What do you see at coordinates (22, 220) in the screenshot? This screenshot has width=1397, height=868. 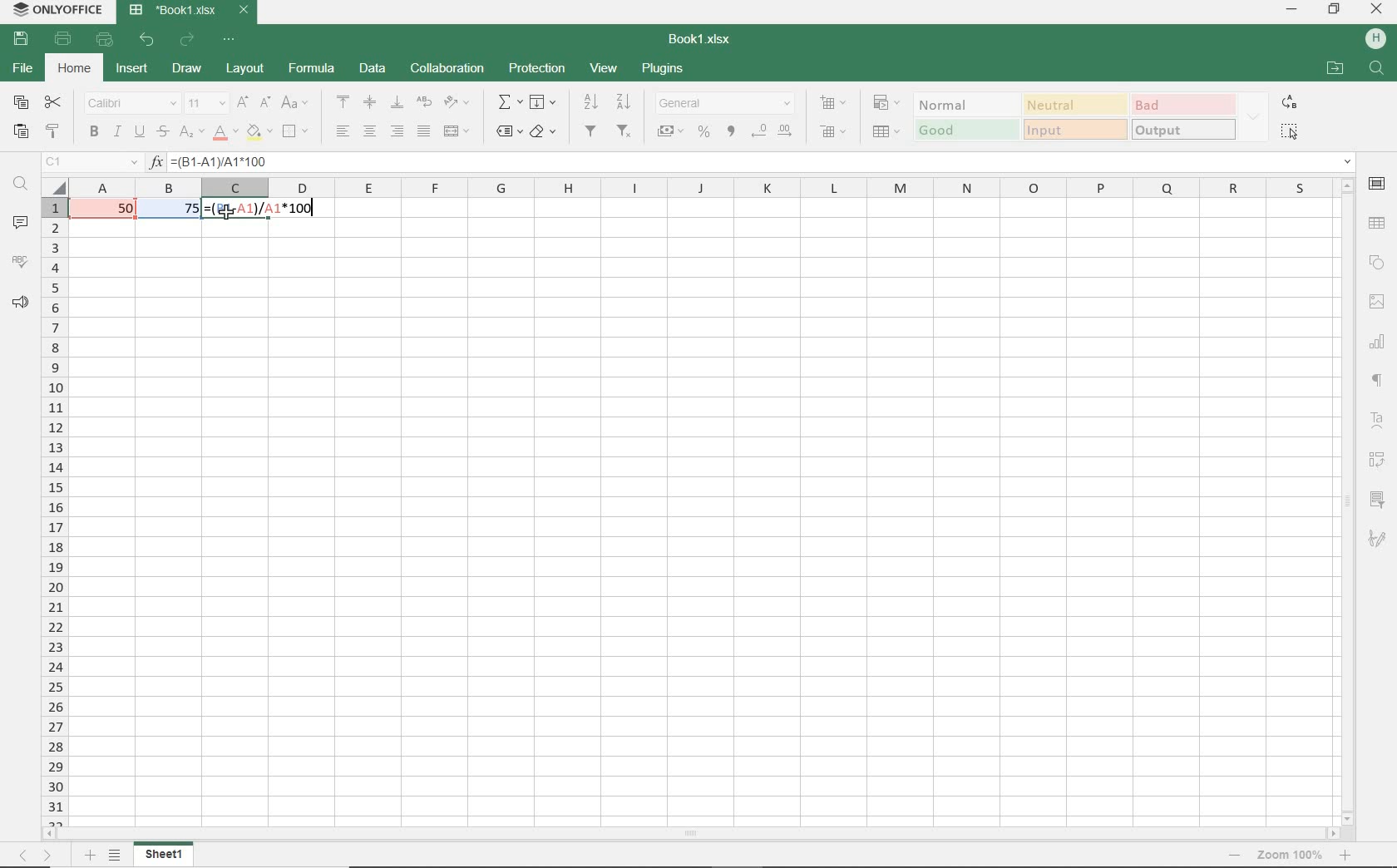 I see `comments` at bounding box center [22, 220].